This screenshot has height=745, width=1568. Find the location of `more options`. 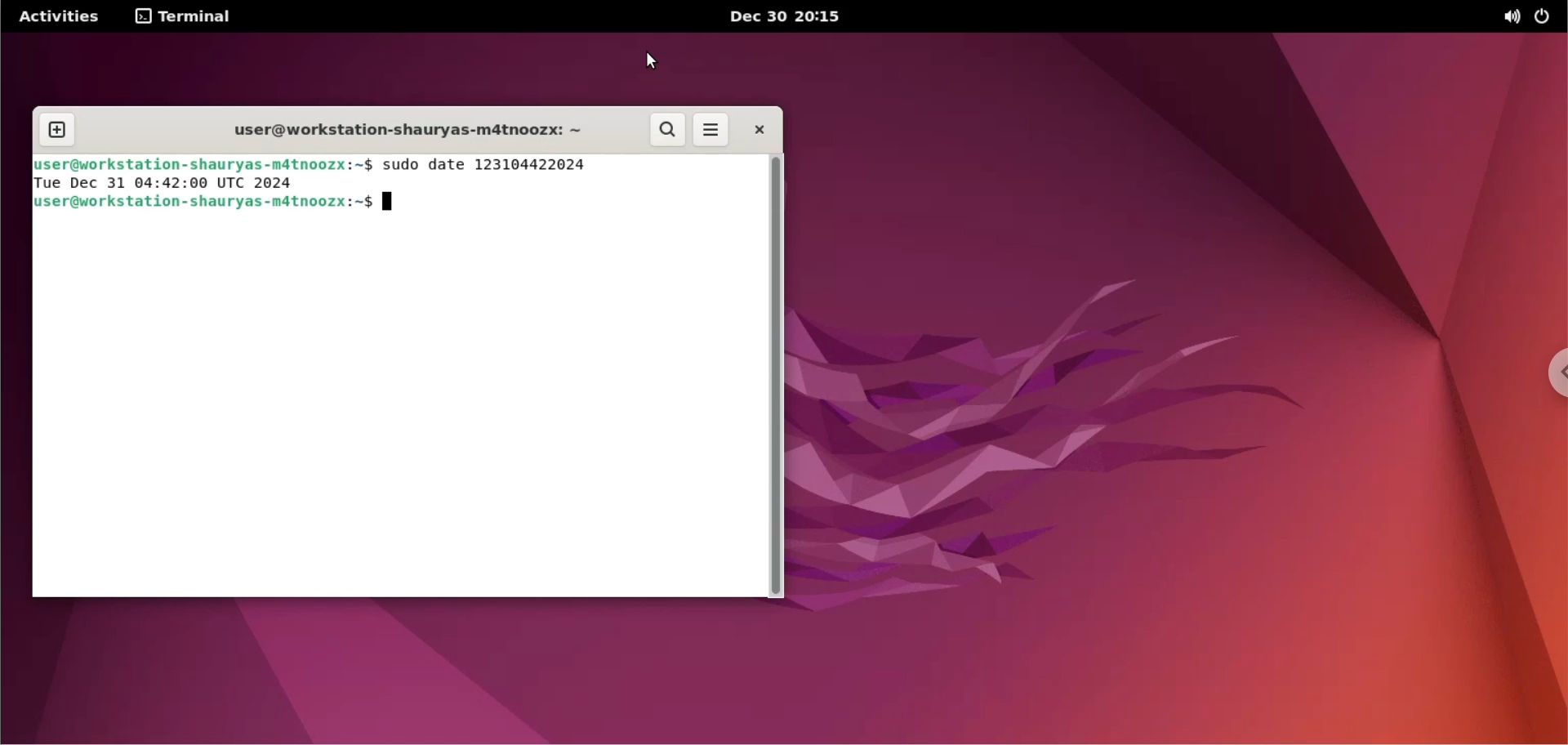

more options is located at coordinates (712, 129).